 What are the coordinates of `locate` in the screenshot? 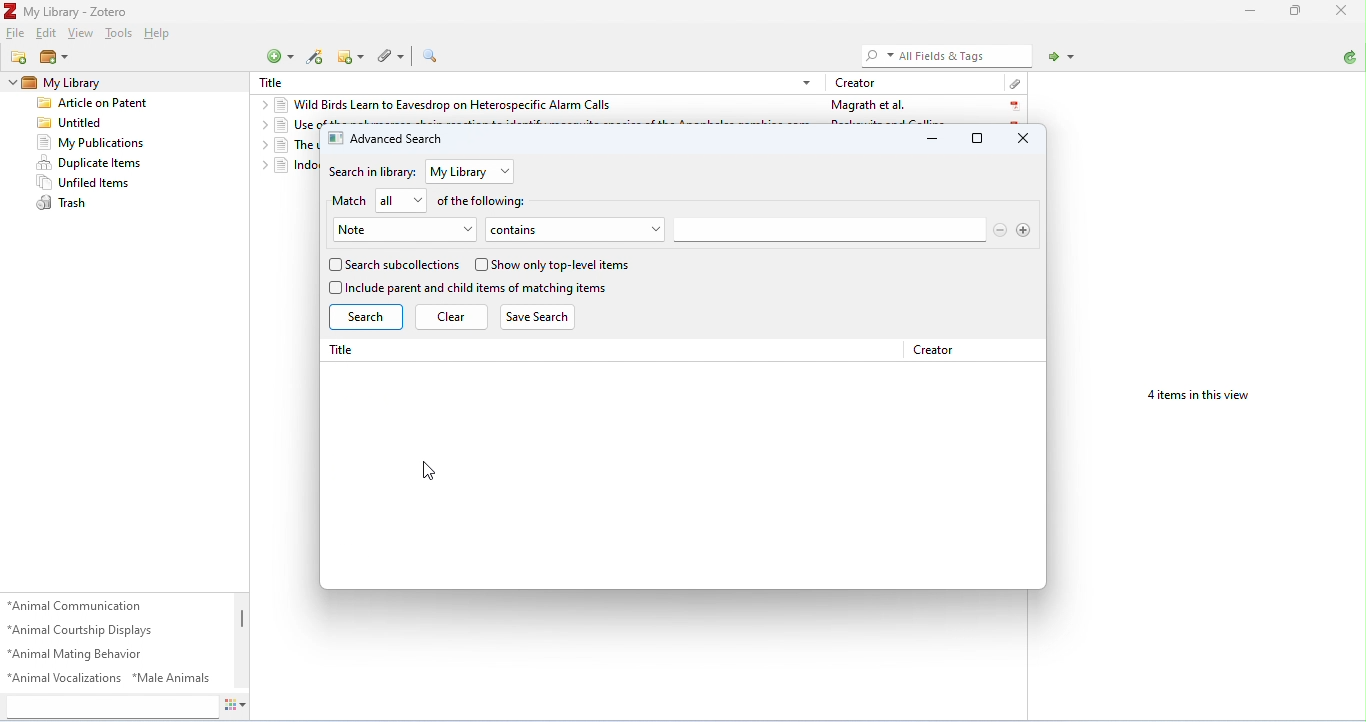 It's located at (1063, 58).